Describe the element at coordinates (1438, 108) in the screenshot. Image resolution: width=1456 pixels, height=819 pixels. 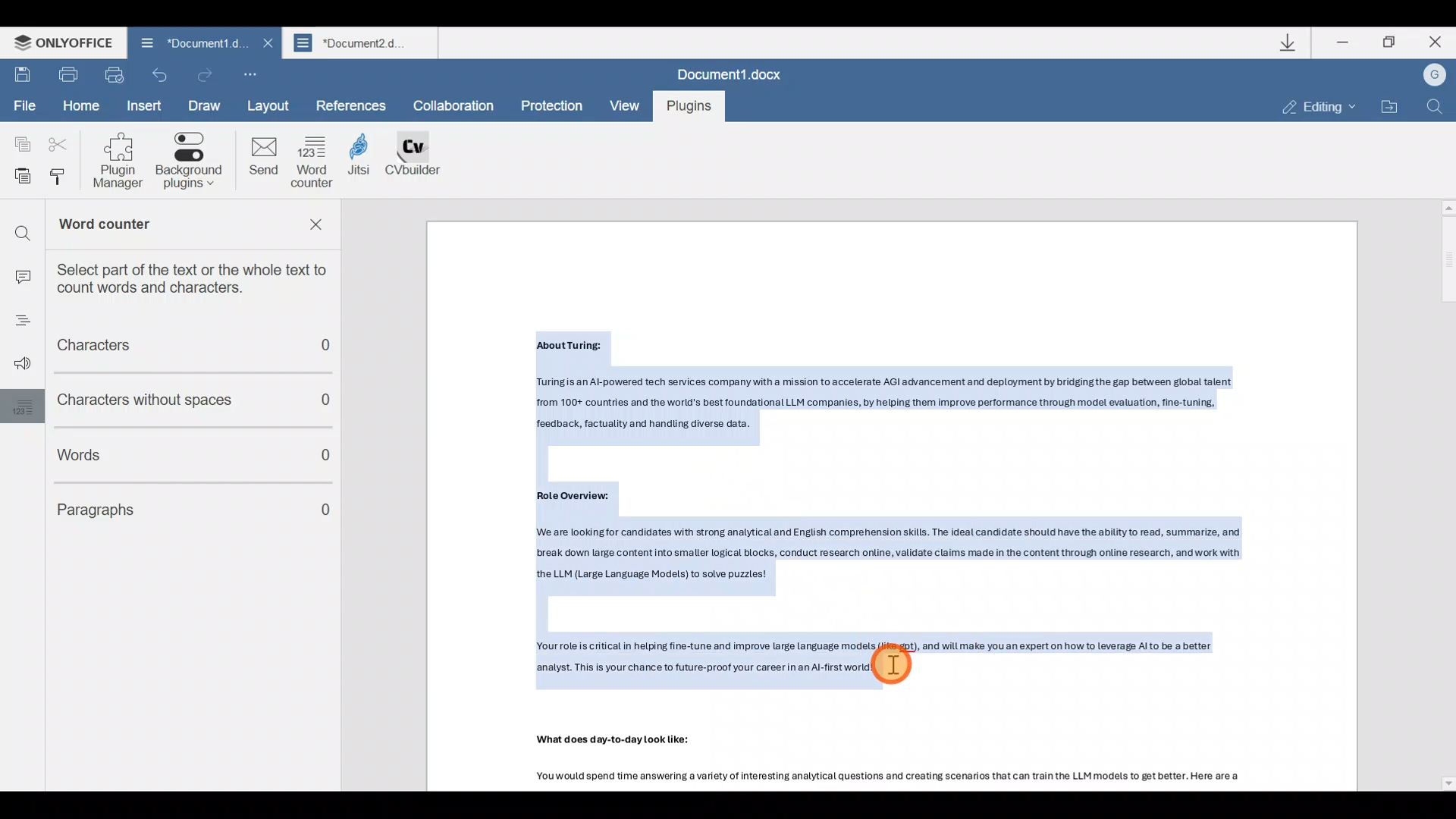
I see `Find` at that location.